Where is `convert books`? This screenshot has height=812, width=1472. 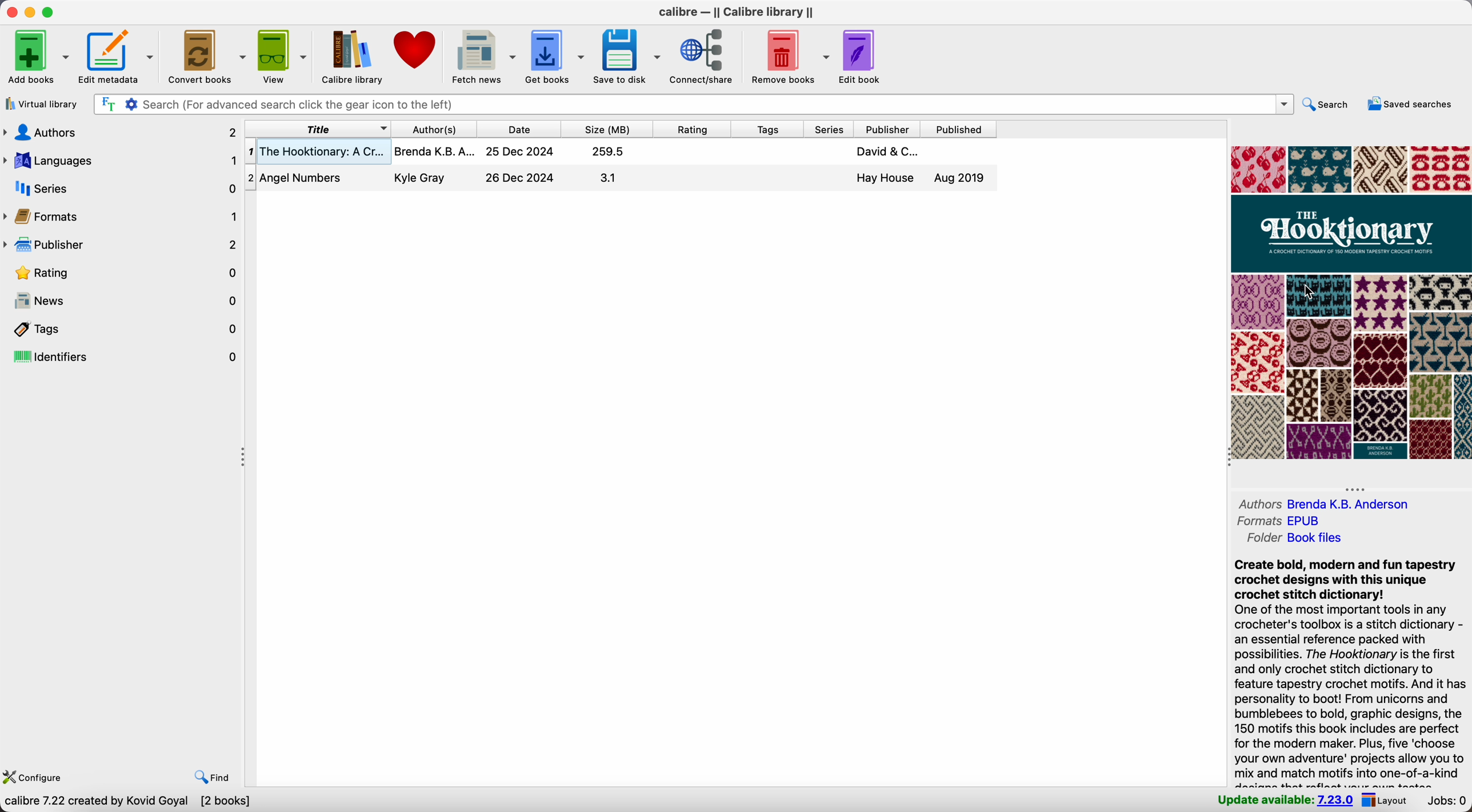
convert books is located at coordinates (205, 55).